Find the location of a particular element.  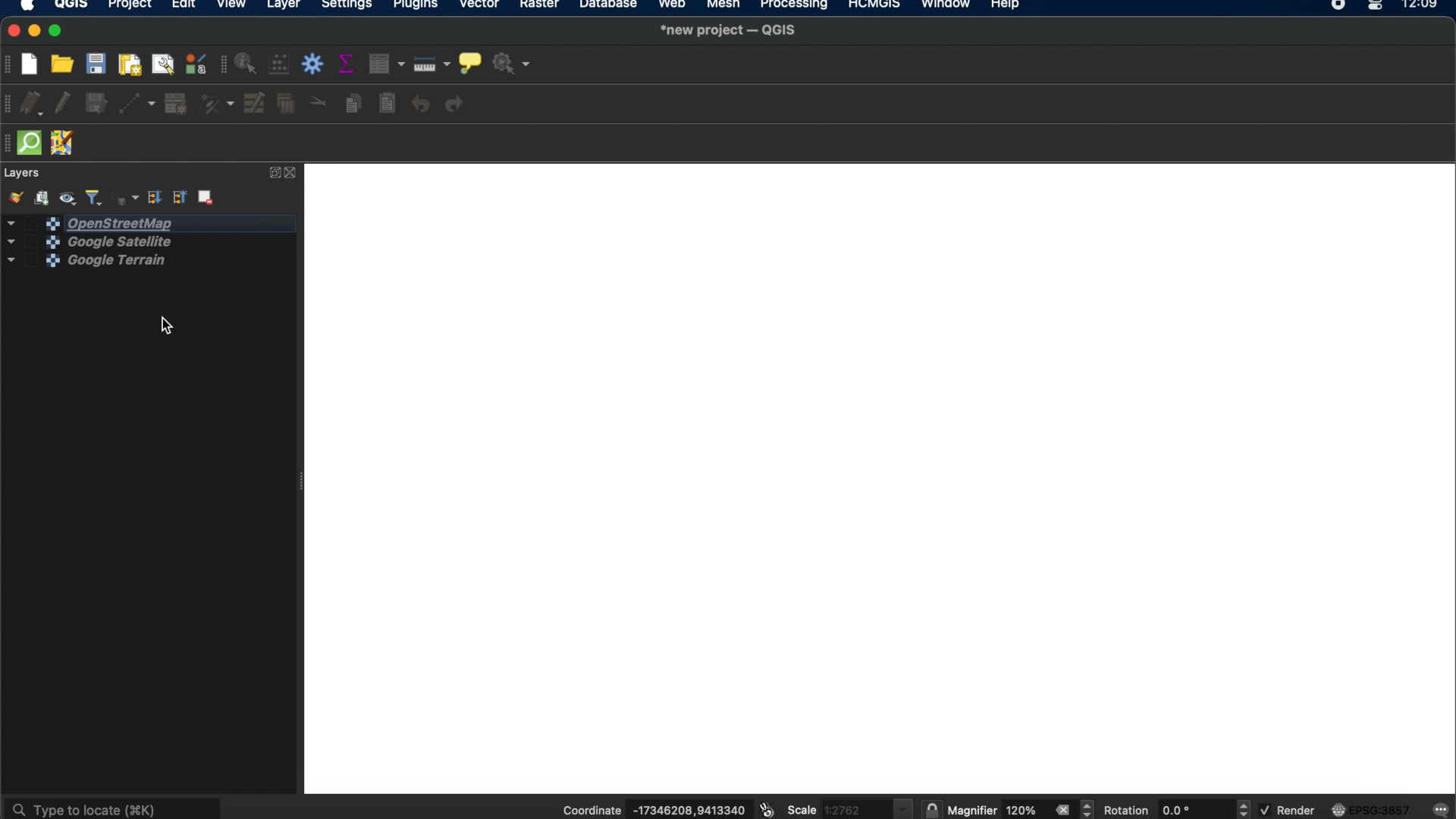

vertex tool is located at coordinates (217, 105).